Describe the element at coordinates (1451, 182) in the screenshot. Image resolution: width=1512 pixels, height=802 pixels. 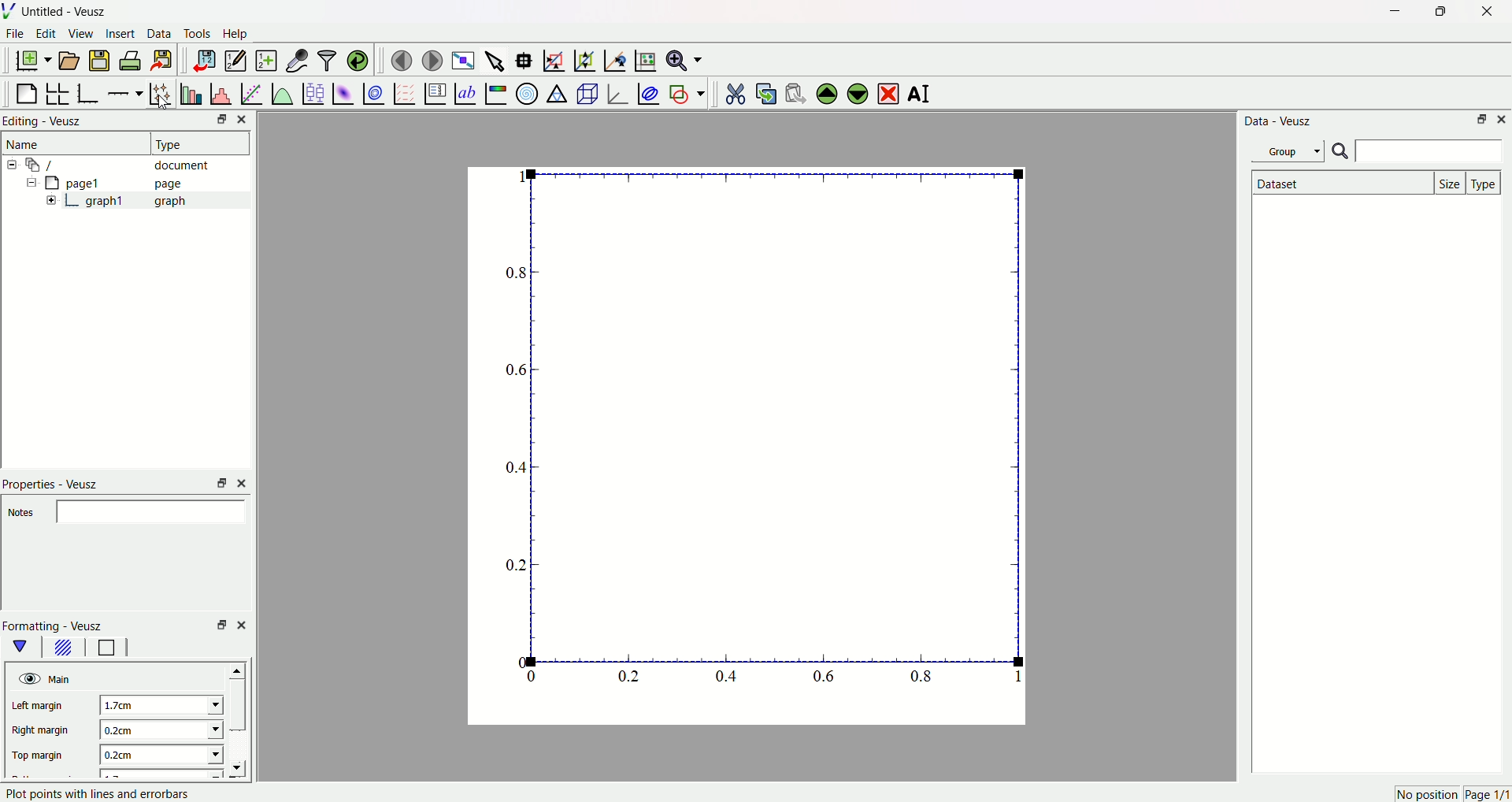
I see `Size` at that location.